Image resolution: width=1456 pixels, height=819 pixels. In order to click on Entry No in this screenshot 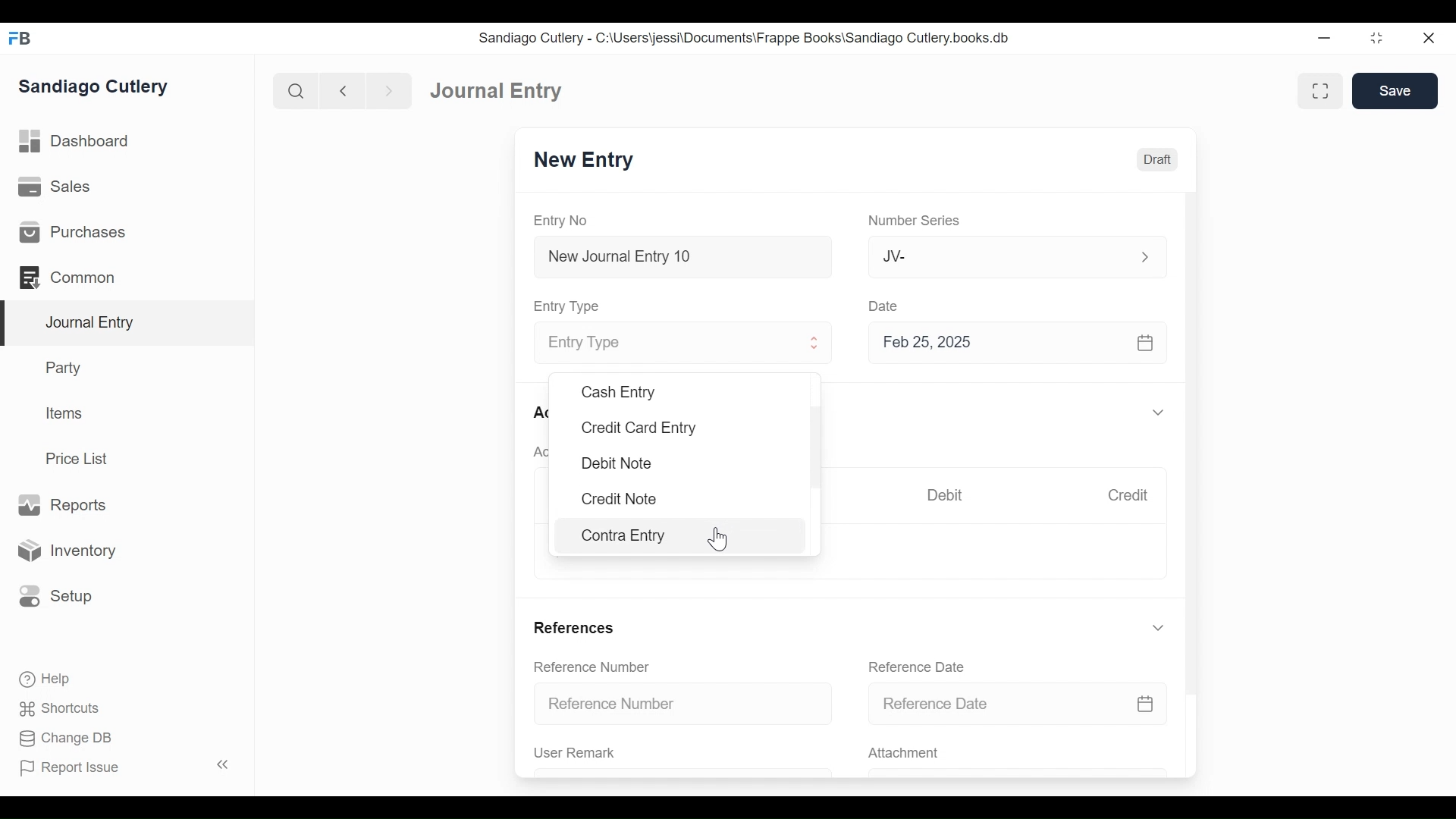, I will do `click(565, 220)`.